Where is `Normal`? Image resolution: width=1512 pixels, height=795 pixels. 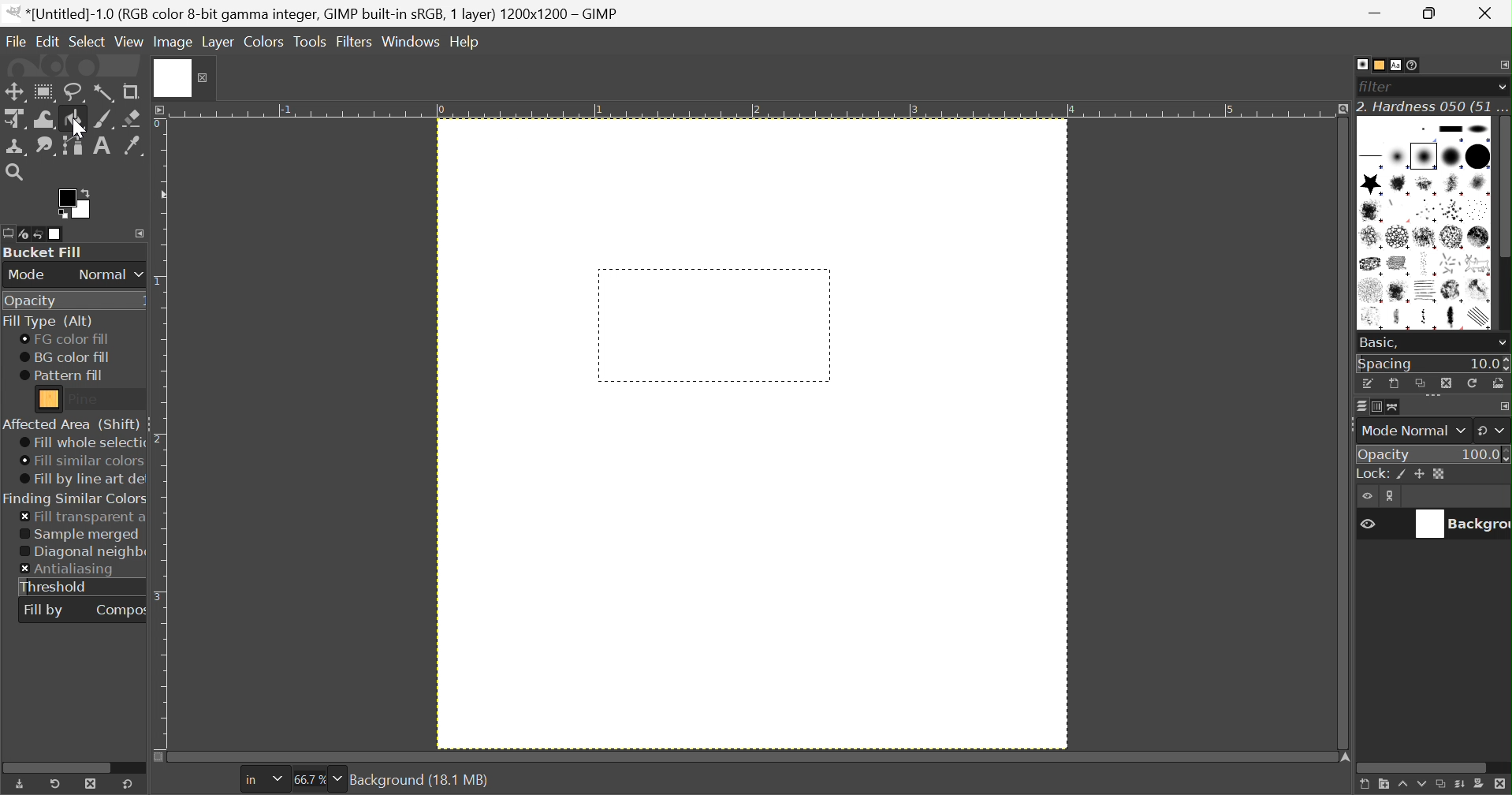
Normal is located at coordinates (111, 274).